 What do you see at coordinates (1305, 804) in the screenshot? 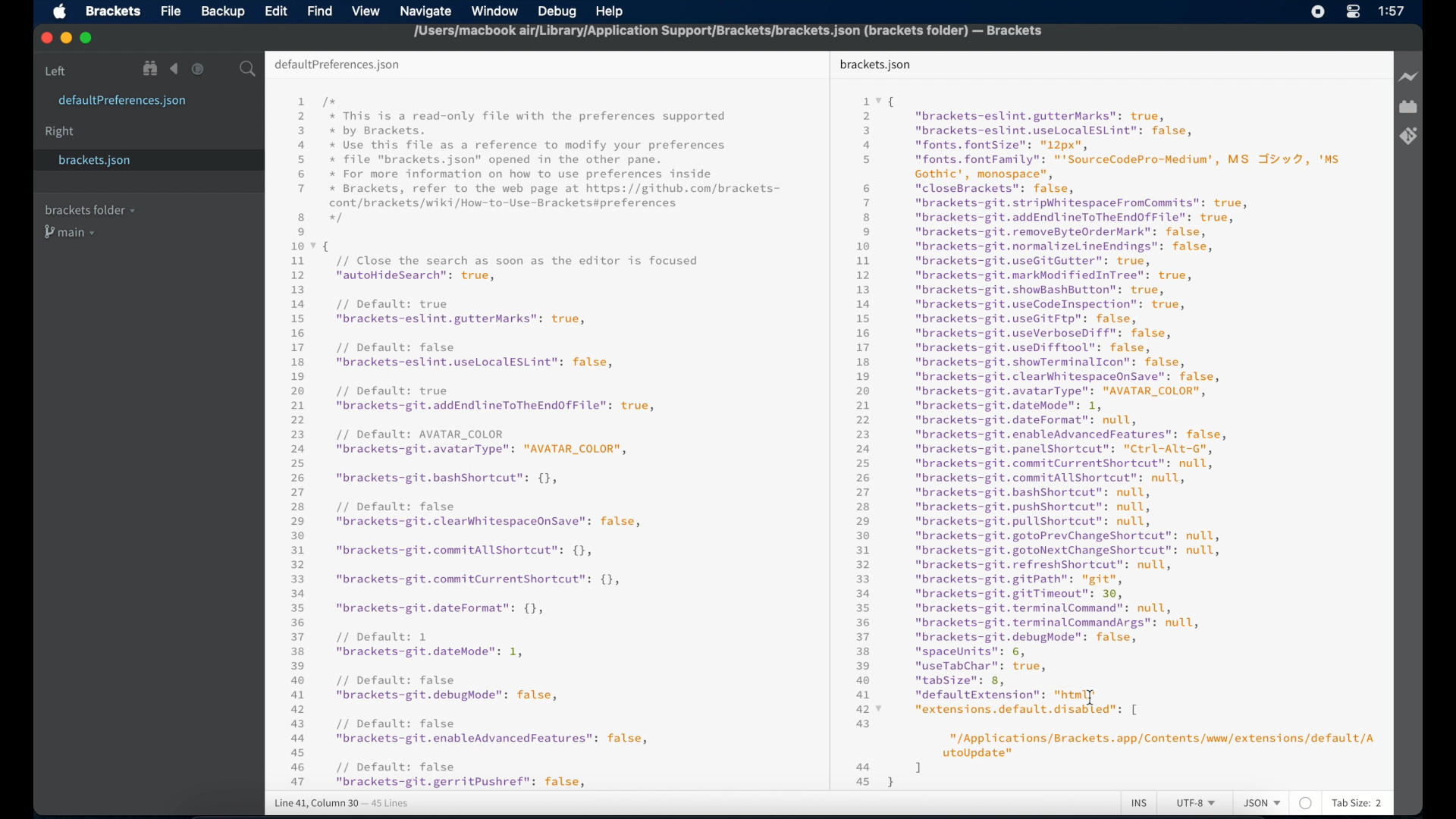
I see `no linter  available for this file` at bounding box center [1305, 804].